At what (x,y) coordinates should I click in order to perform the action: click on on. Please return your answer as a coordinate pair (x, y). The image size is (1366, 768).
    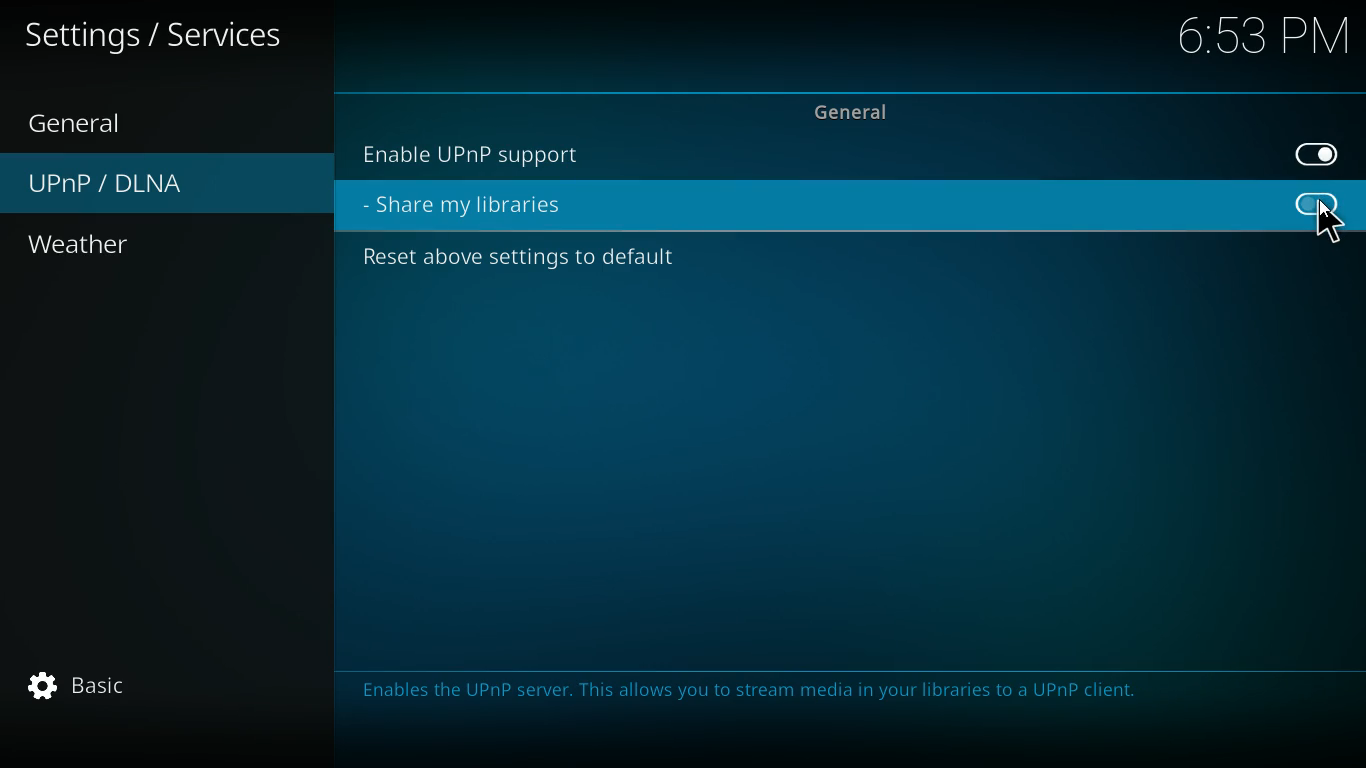
    Looking at the image, I should click on (1309, 155).